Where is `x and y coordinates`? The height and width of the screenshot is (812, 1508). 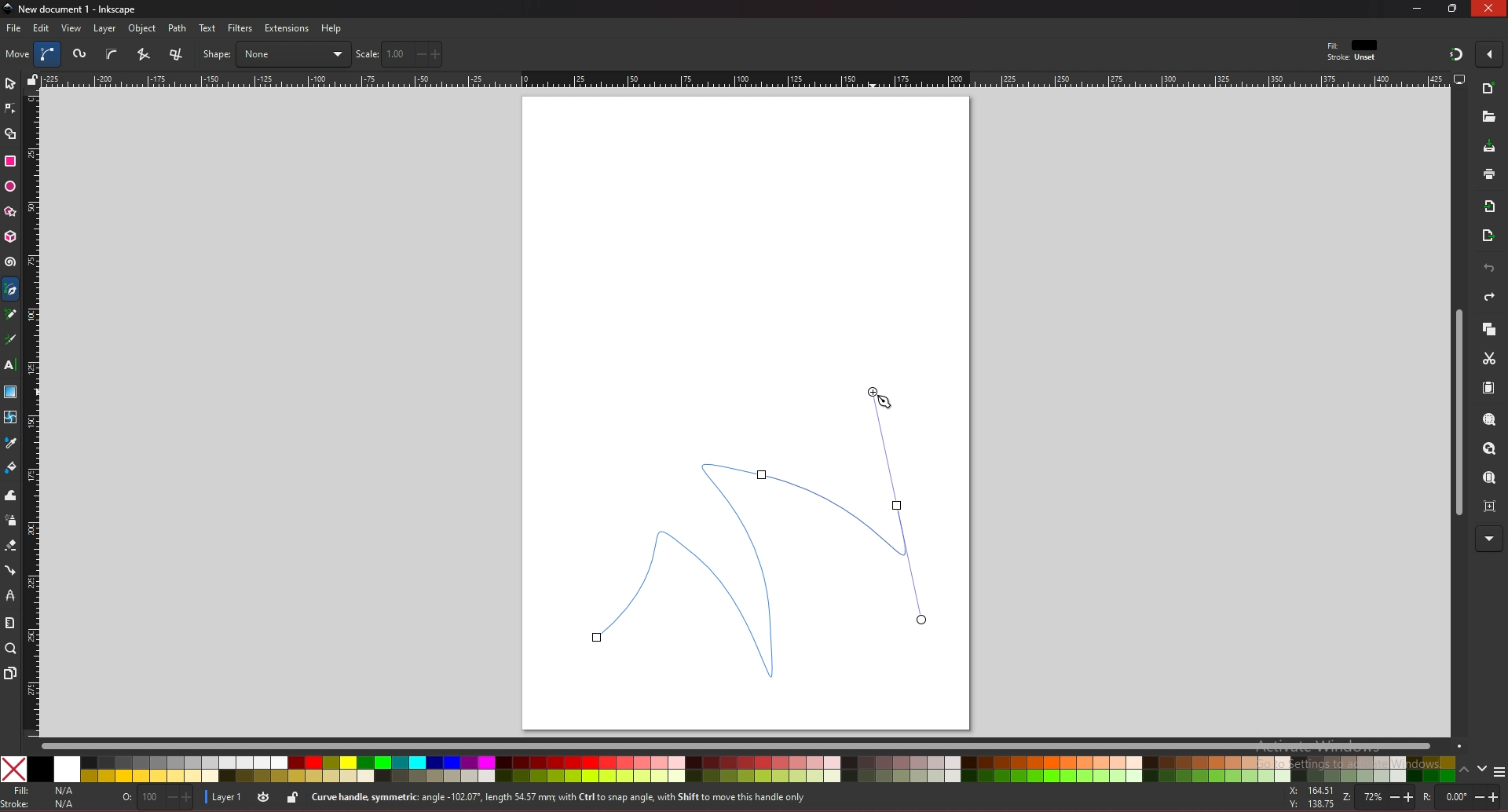
x and y coordinates is located at coordinates (1310, 797).